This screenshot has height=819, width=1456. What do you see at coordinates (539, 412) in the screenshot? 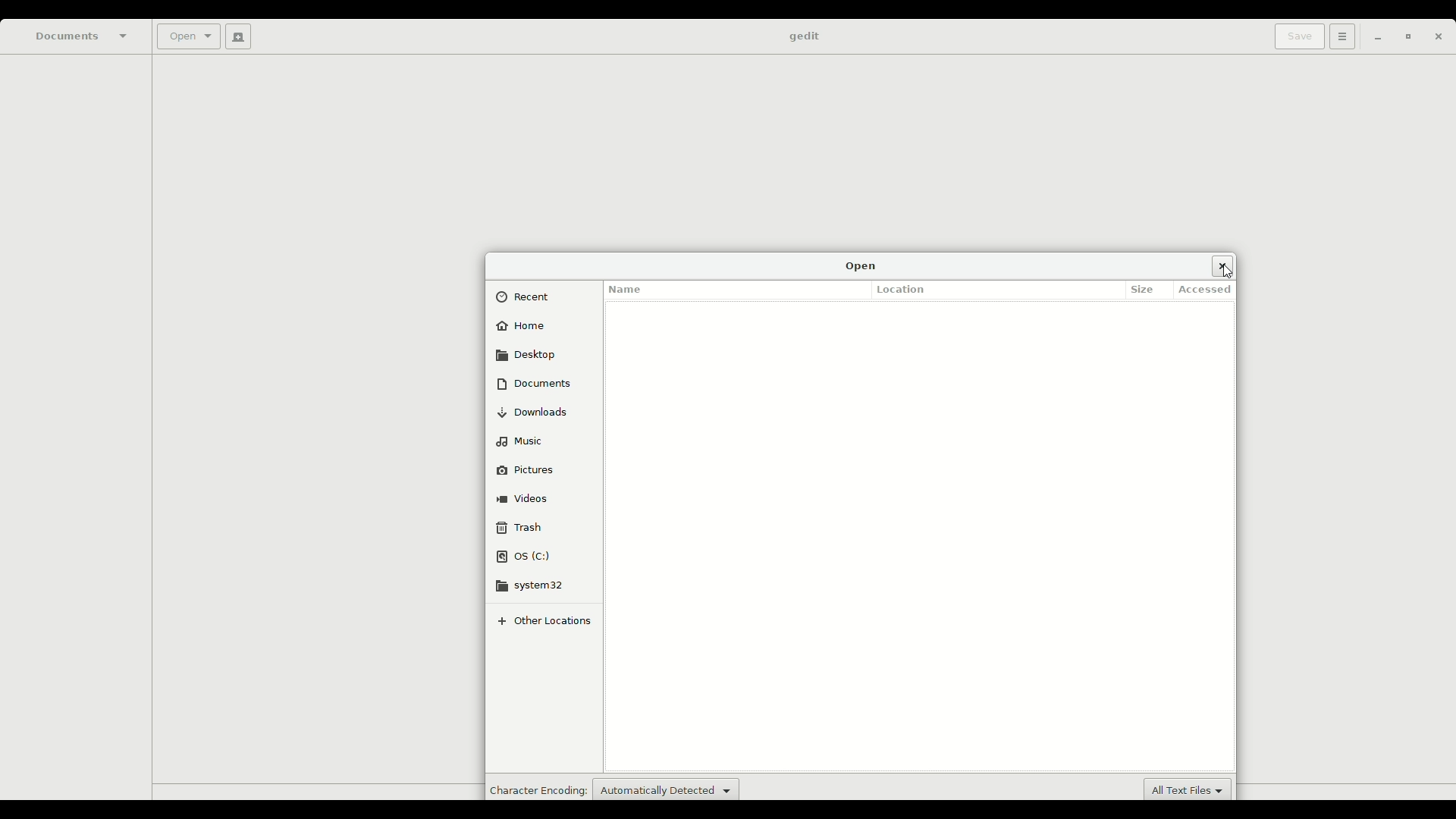
I see `Downloads` at bounding box center [539, 412].